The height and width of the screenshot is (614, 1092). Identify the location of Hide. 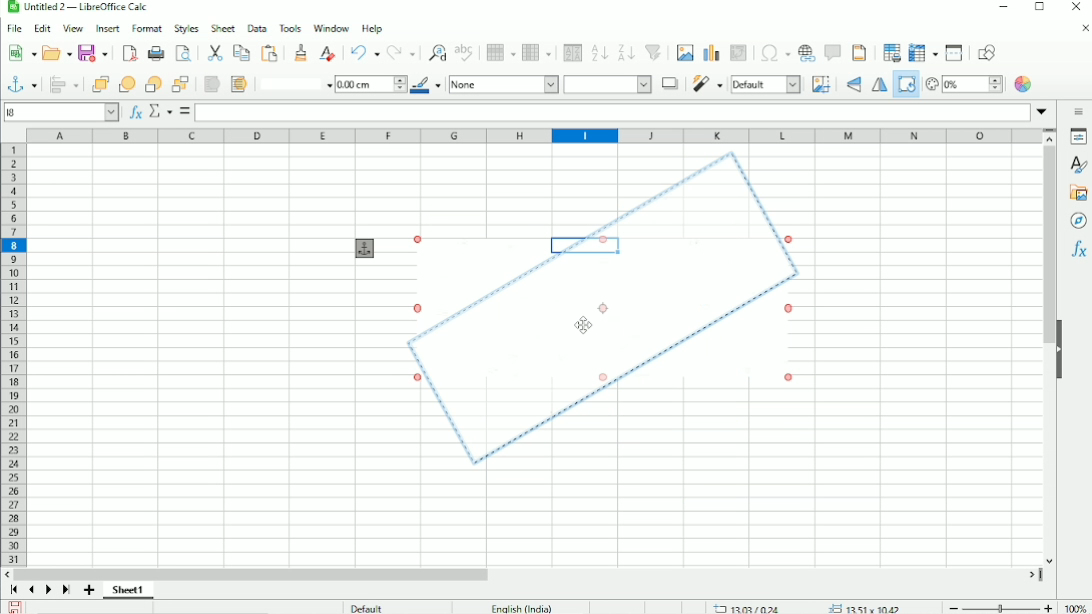
(1061, 348).